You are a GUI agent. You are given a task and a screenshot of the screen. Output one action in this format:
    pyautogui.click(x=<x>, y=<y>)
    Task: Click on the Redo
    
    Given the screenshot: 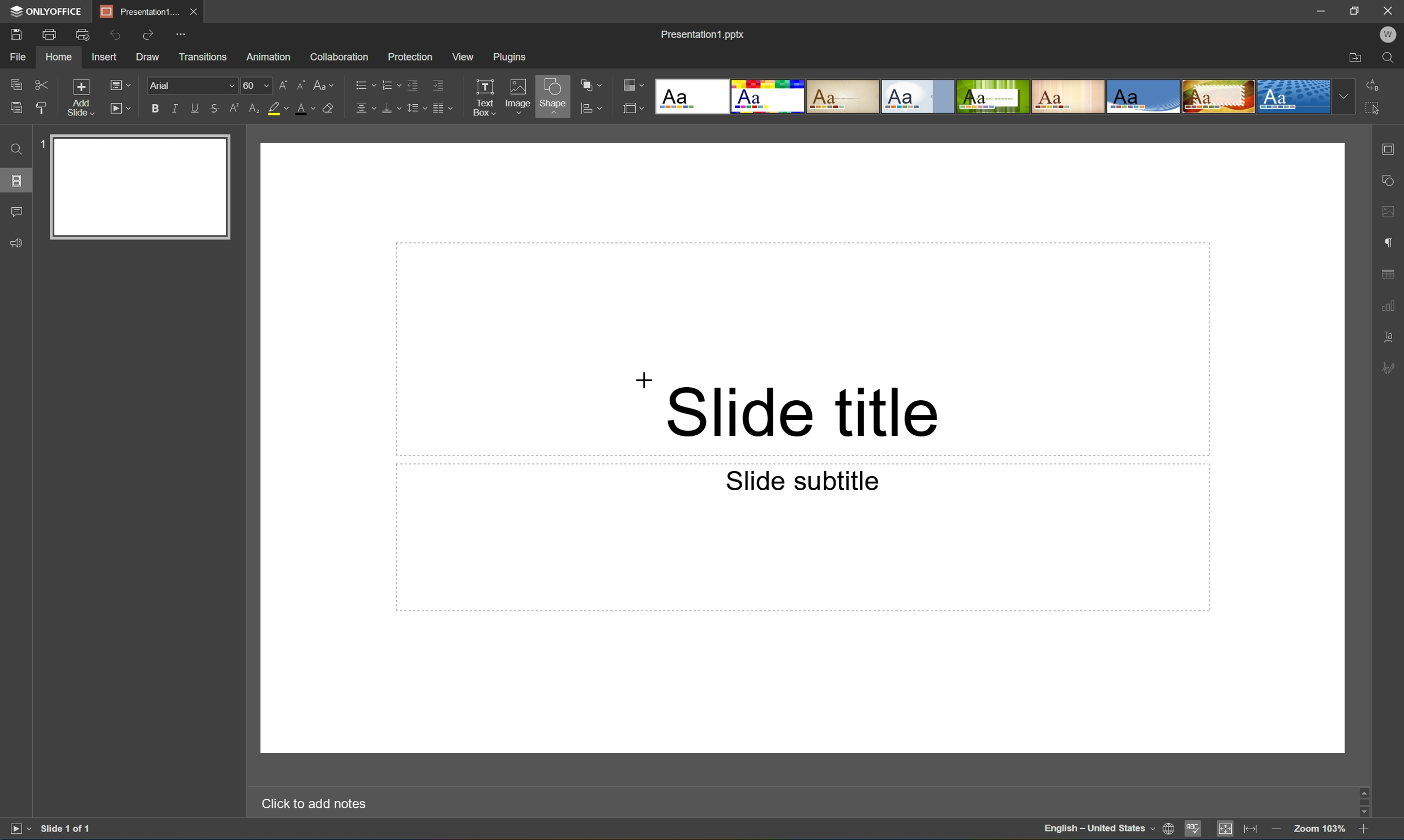 What is the action you would take?
    pyautogui.click(x=148, y=33)
    